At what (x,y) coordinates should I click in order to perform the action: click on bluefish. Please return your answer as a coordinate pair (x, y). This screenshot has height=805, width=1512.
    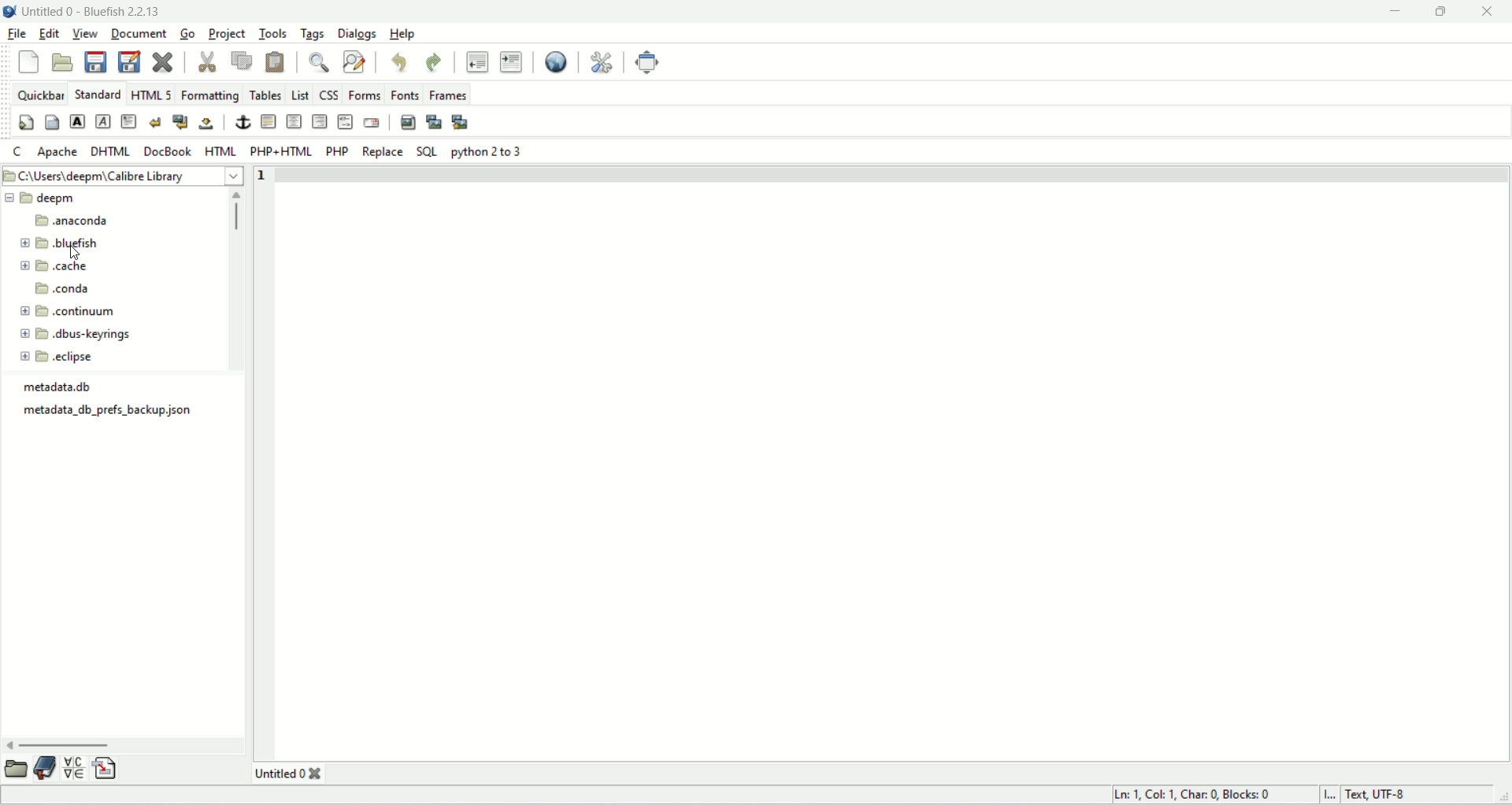
    Looking at the image, I should click on (65, 243).